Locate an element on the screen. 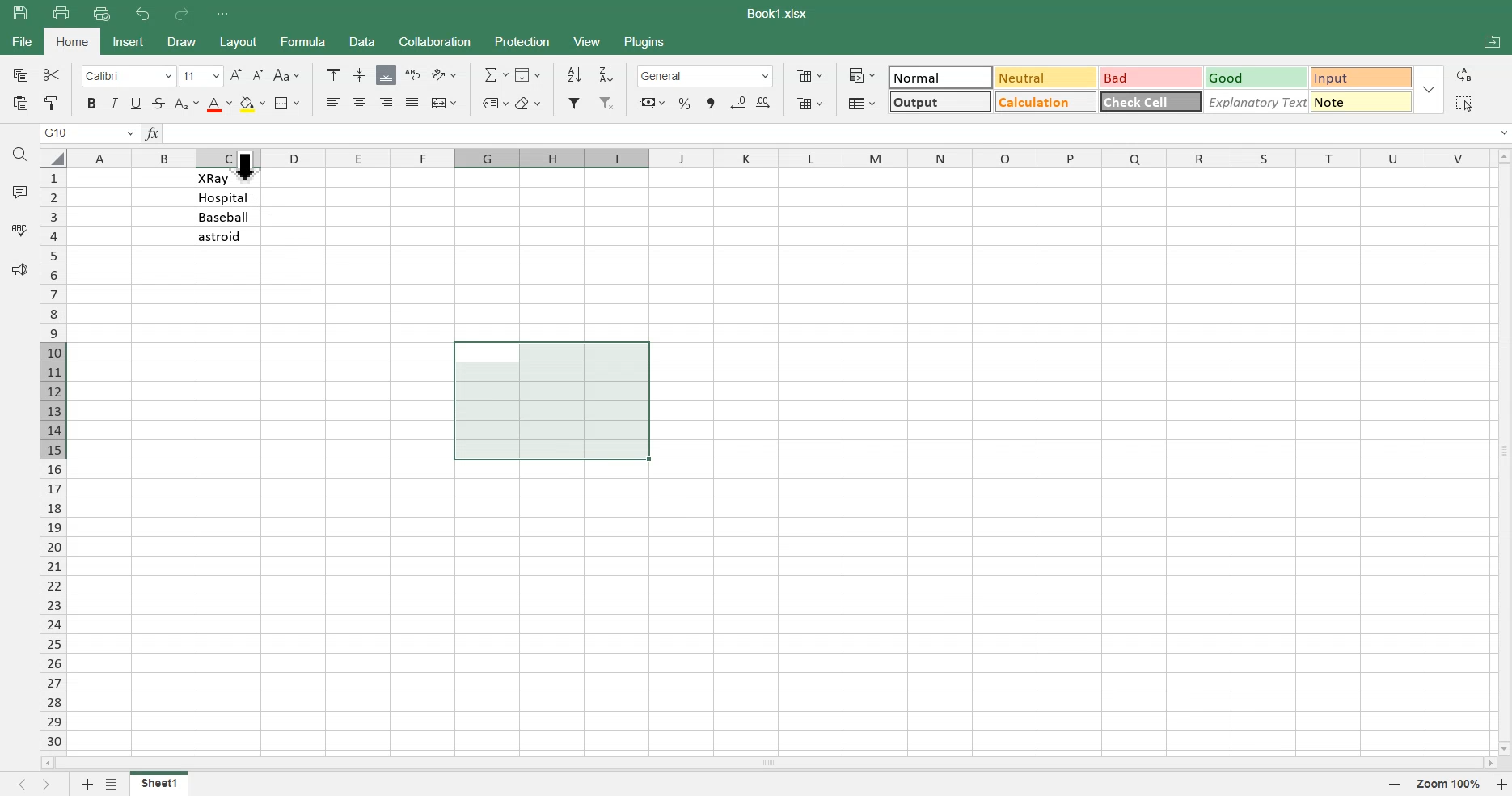 This screenshot has height=796, width=1512. Remove Filter is located at coordinates (608, 103).